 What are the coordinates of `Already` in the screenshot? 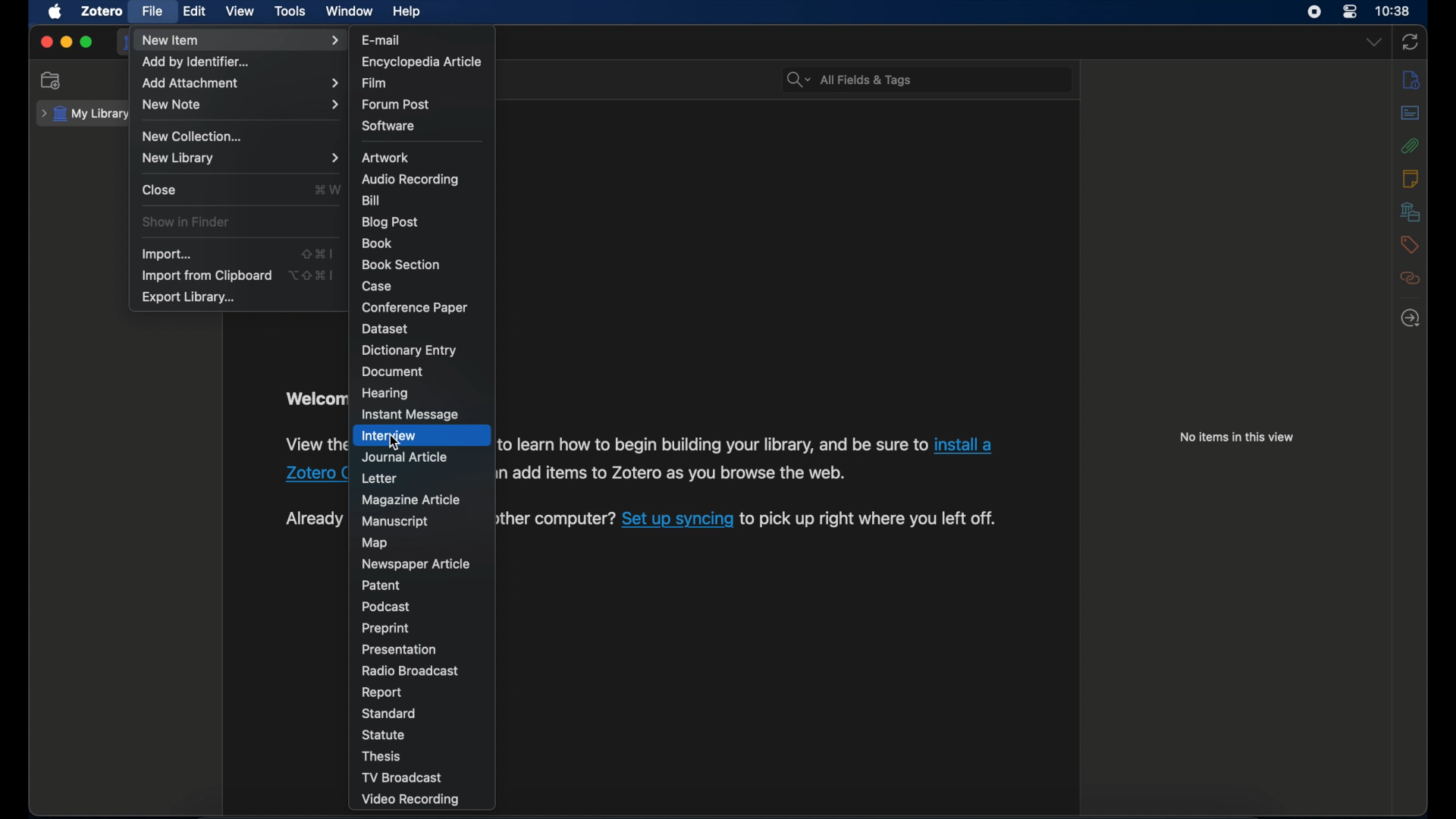 It's located at (313, 519).